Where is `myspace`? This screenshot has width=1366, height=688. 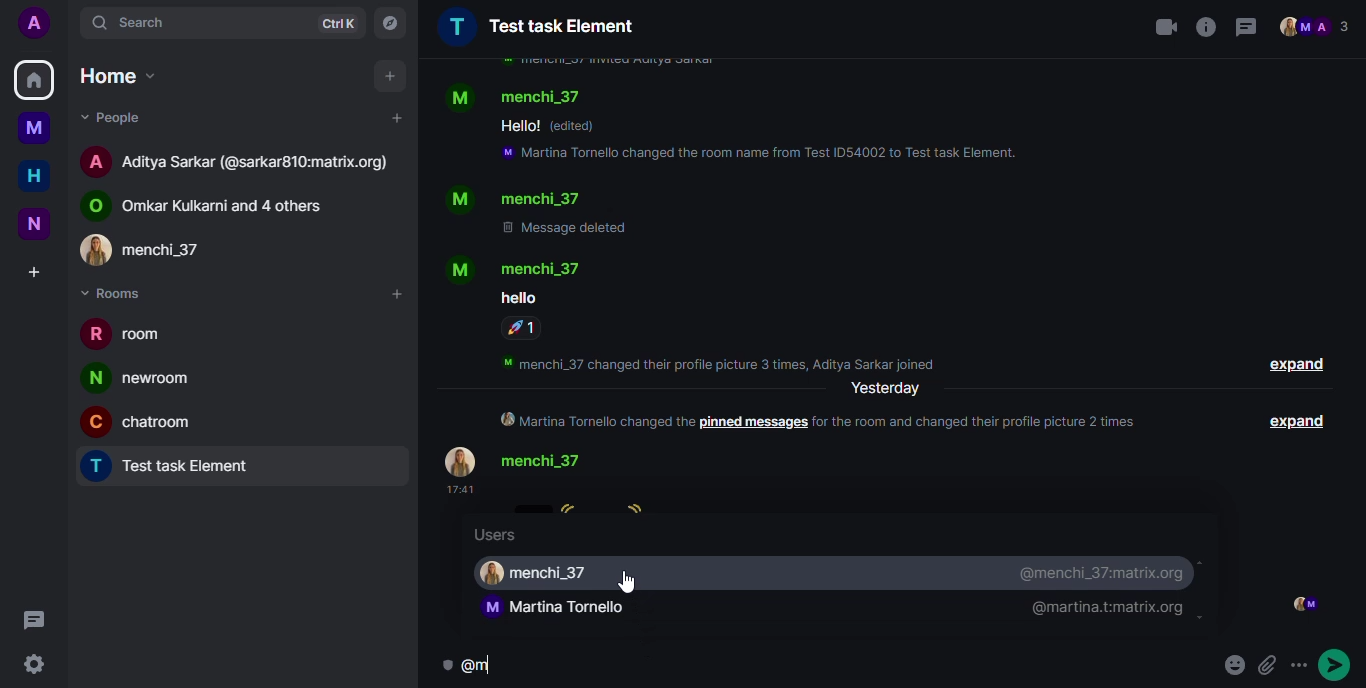
myspace is located at coordinates (35, 128).